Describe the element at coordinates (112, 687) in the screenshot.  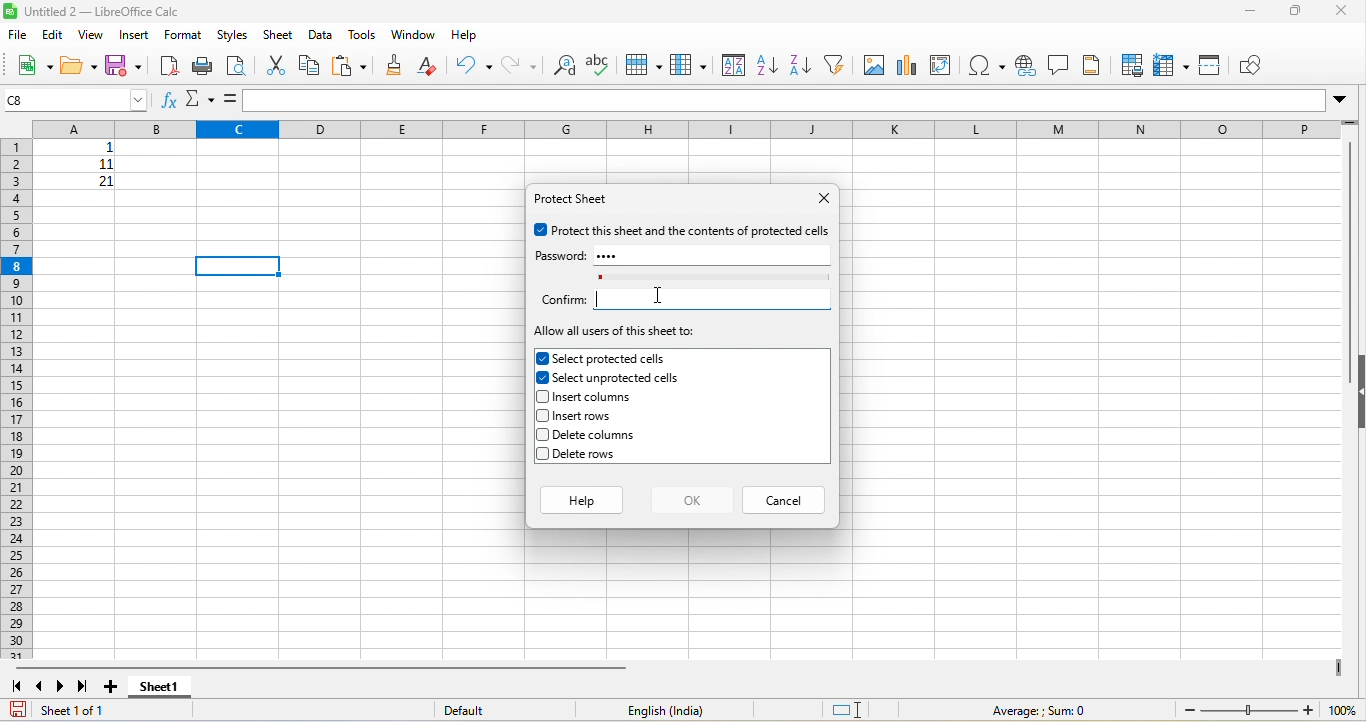
I see `add new sheet` at that location.